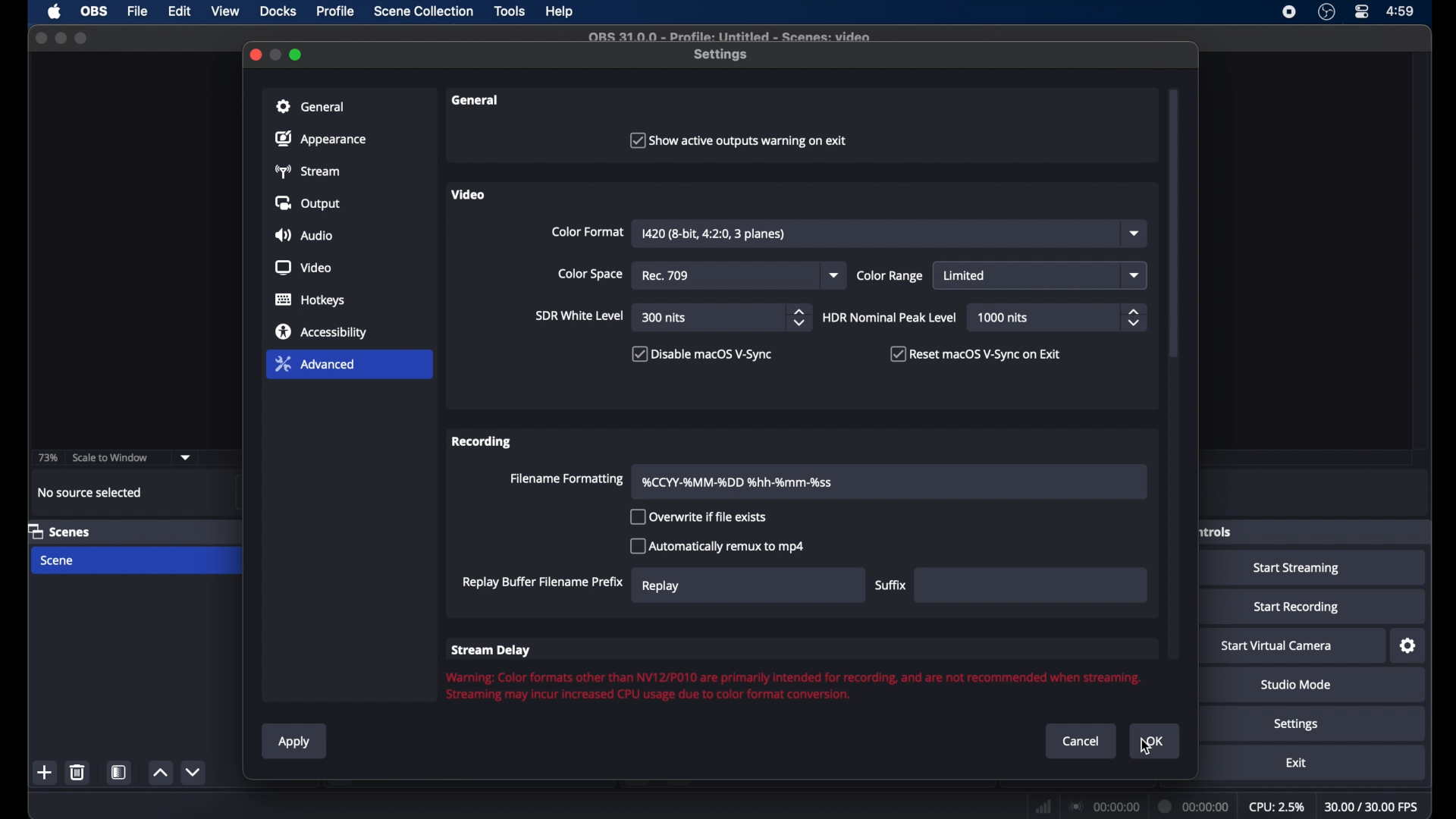 The height and width of the screenshot is (819, 1456). Describe the element at coordinates (482, 441) in the screenshot. I see `recording` at that location.